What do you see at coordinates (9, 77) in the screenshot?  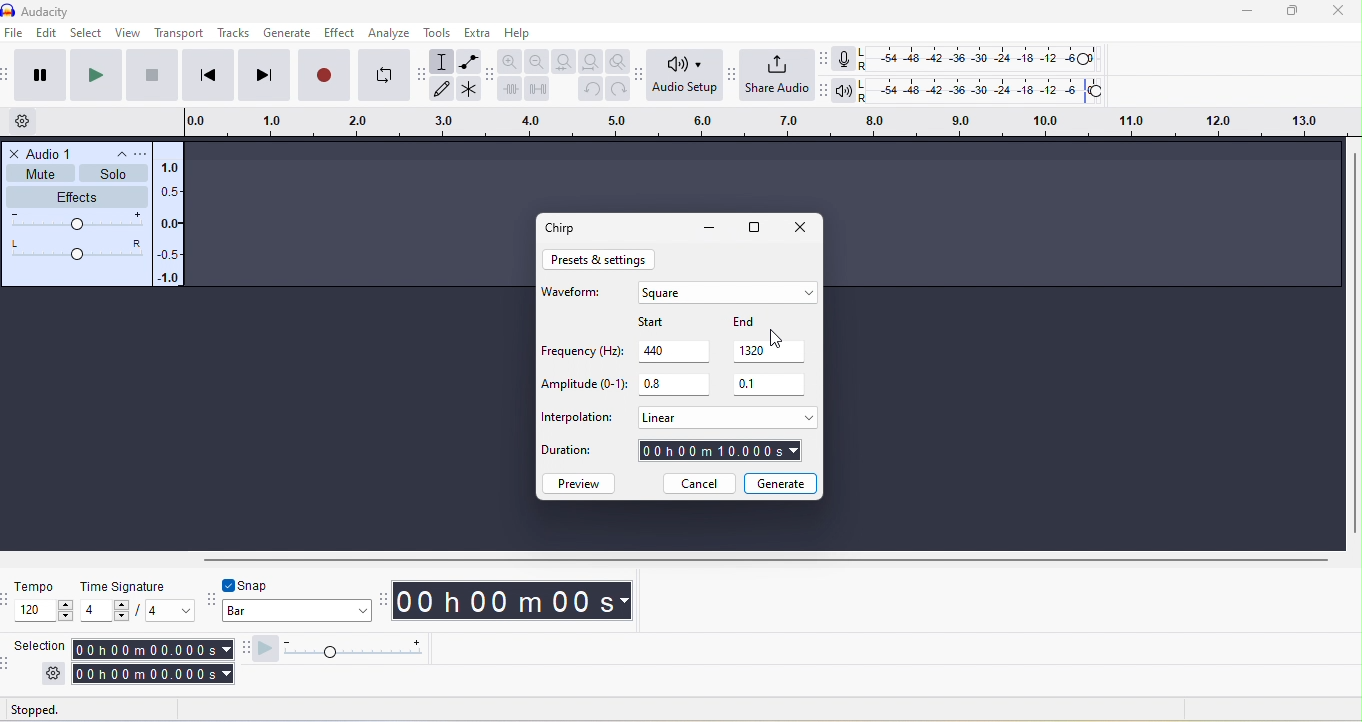 I see `audacity transport toolbar` at bounding box center [9, 77].